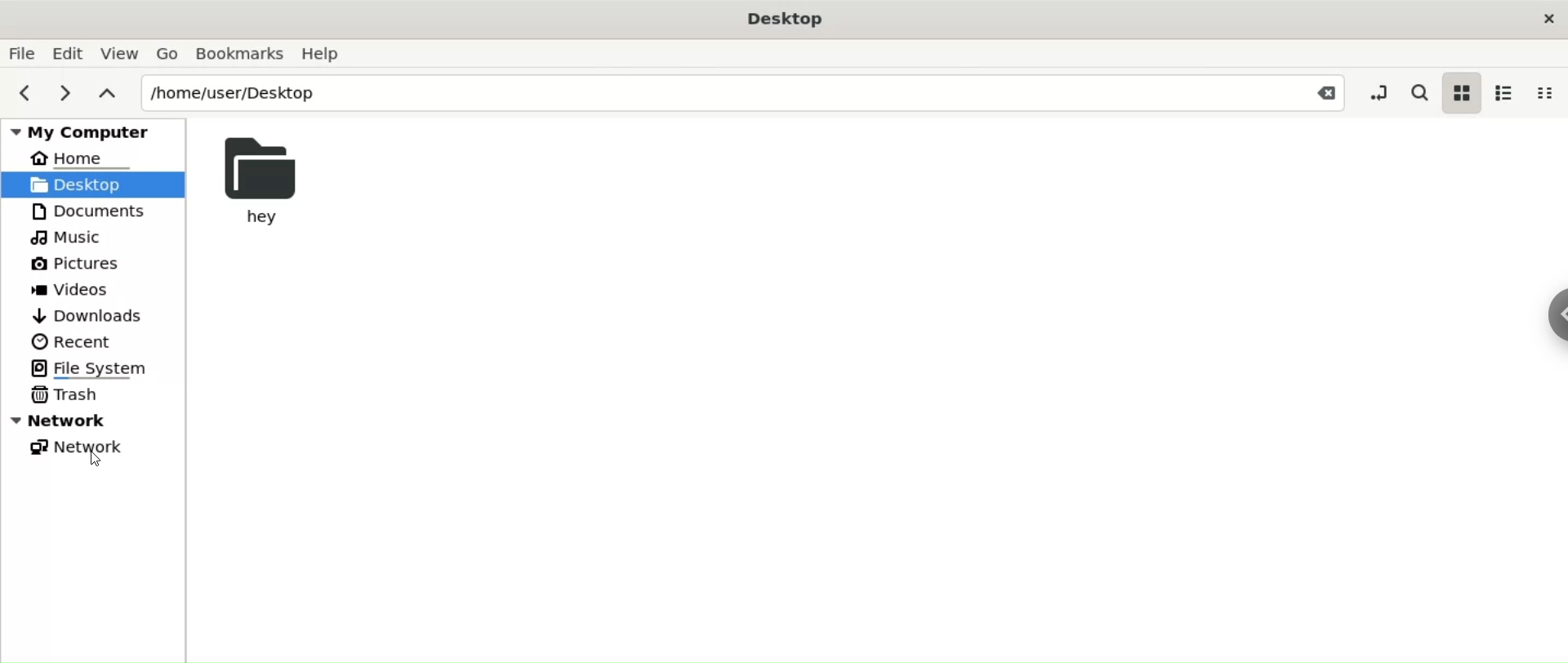 The width and height of the screenshot is (1568, 663). Describe the element at coordinates (118, 52) in the screenshot. I see `View` at that location.